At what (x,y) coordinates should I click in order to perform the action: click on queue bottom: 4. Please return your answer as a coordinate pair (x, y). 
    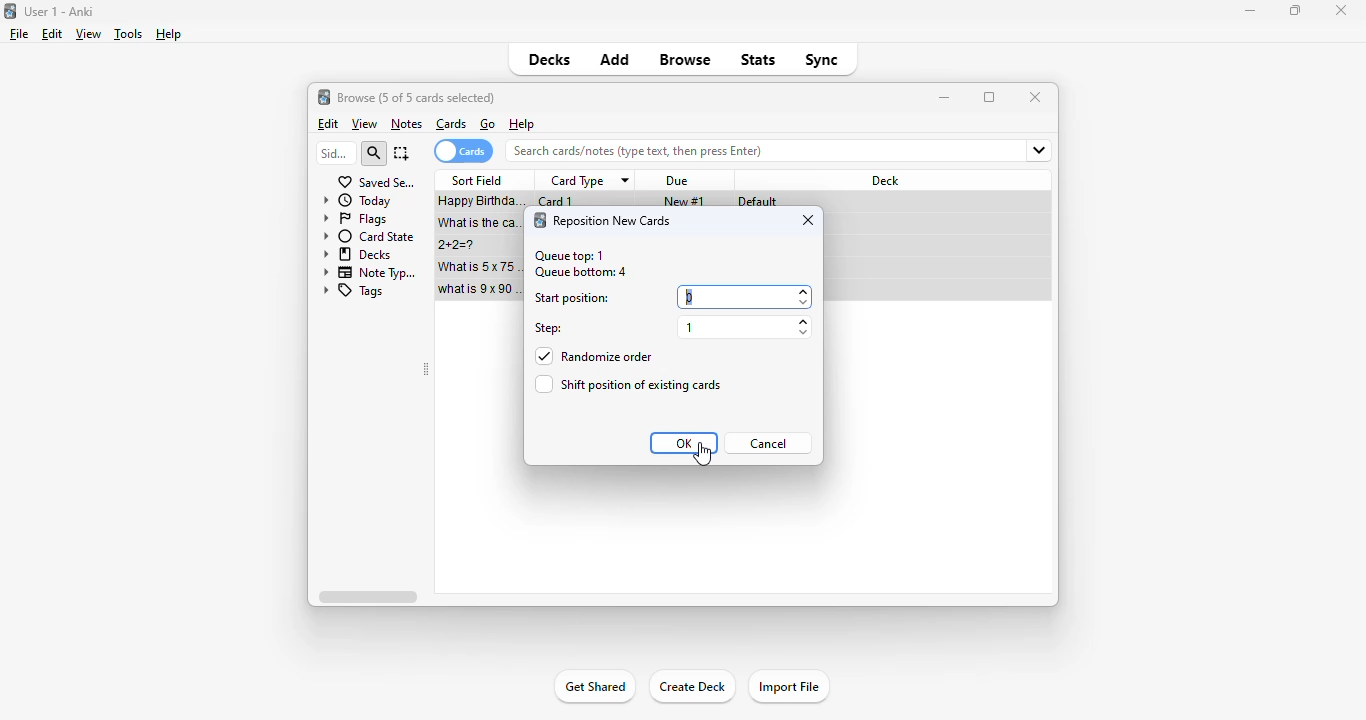
    Looking at the image, I should click on (582, 273).